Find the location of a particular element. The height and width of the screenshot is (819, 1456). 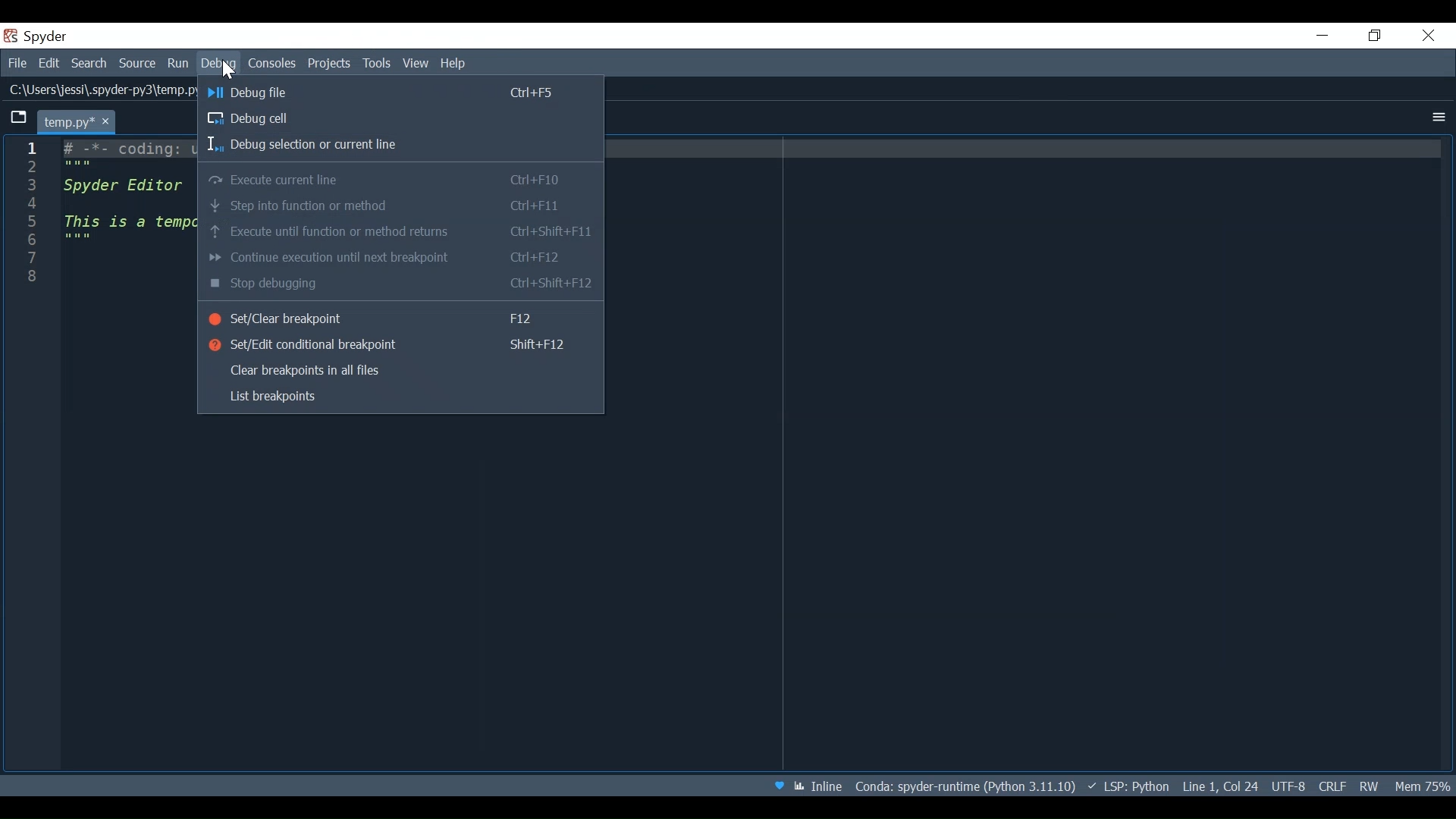

Console is located at coordinates (271, 65).